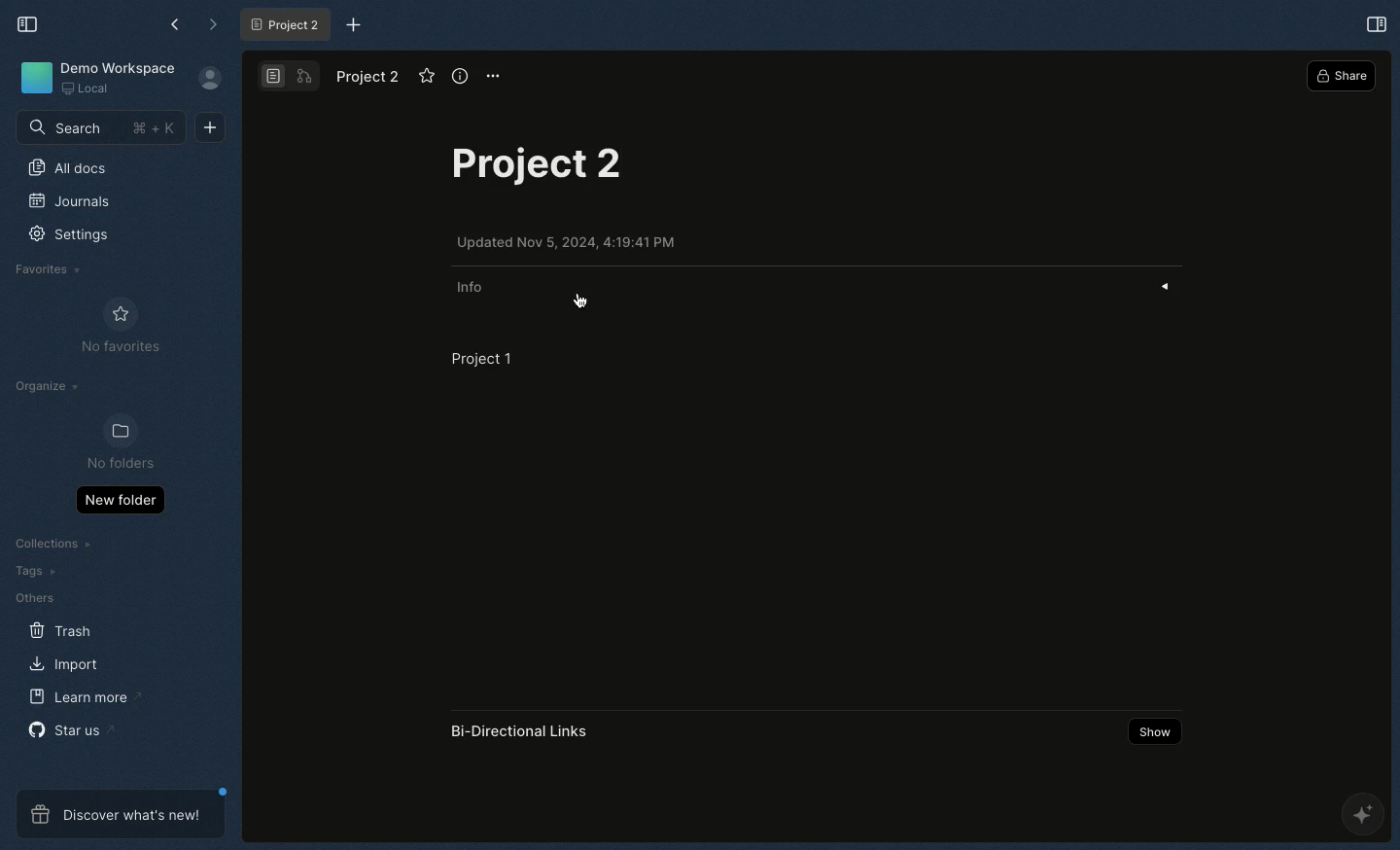 The image size is (1400, 850). Describe the element at coordinates (60, 631) in the screenshot. I see `Trash` at that location.